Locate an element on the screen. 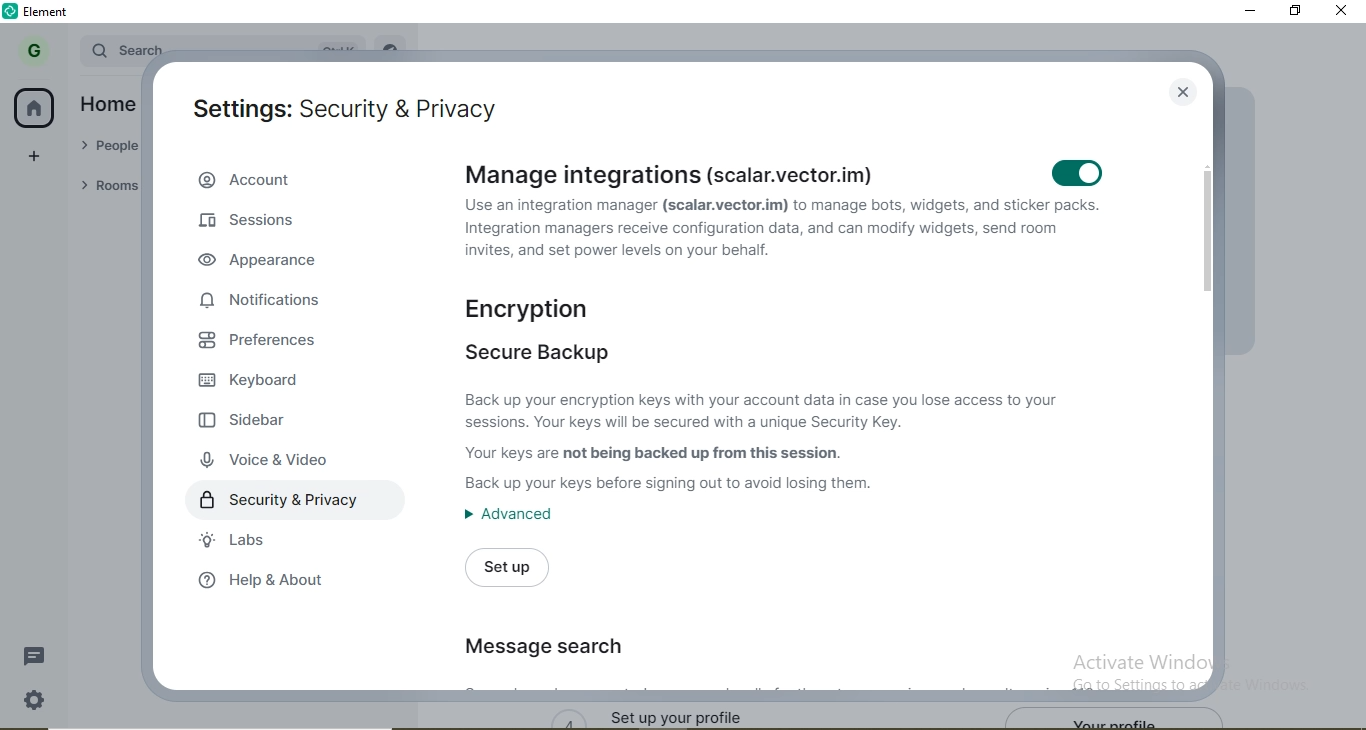  encryption is located at coordinates (552, 309).